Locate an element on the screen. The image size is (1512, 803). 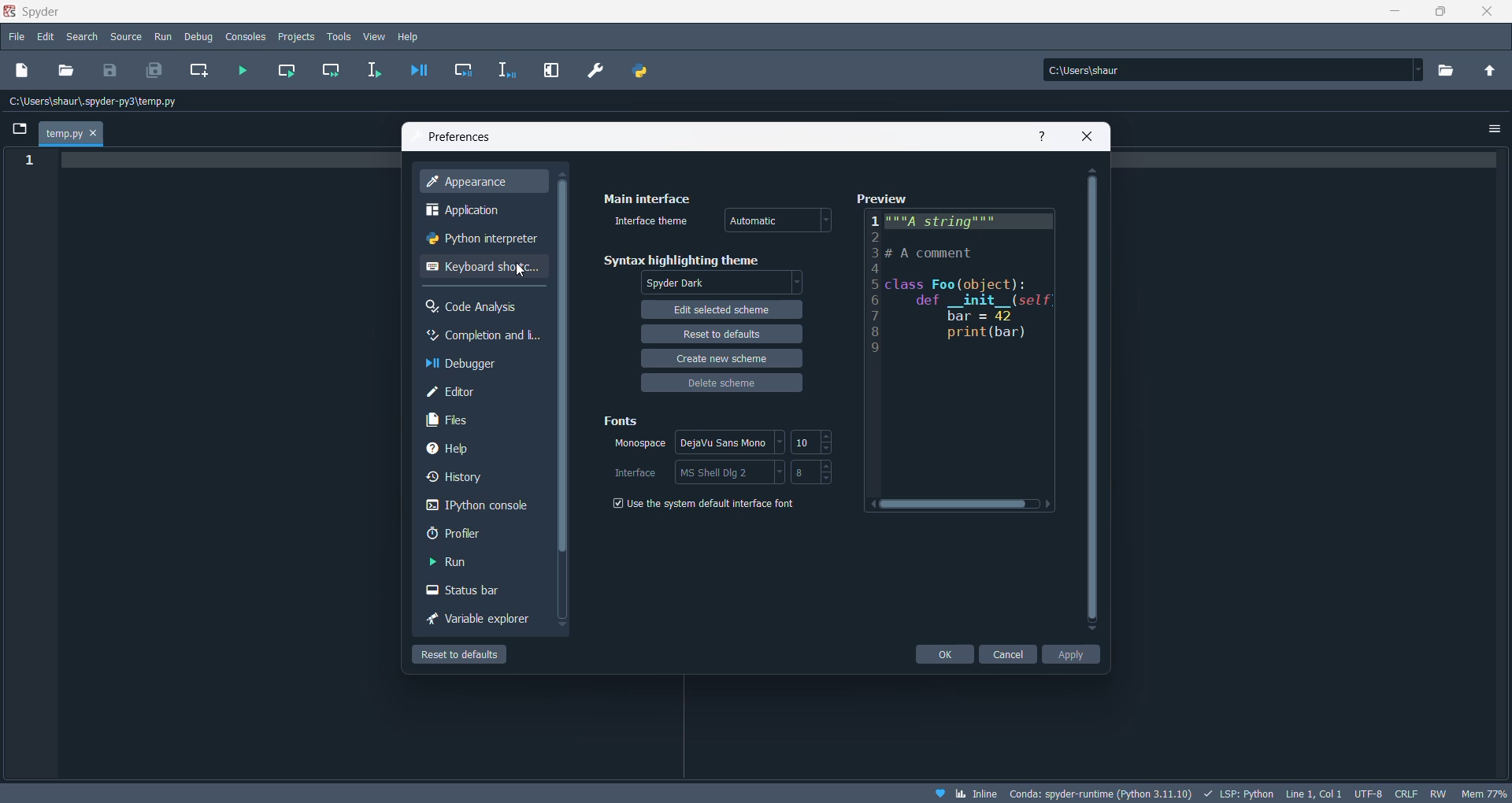
search is located at coordinates (82, 39).